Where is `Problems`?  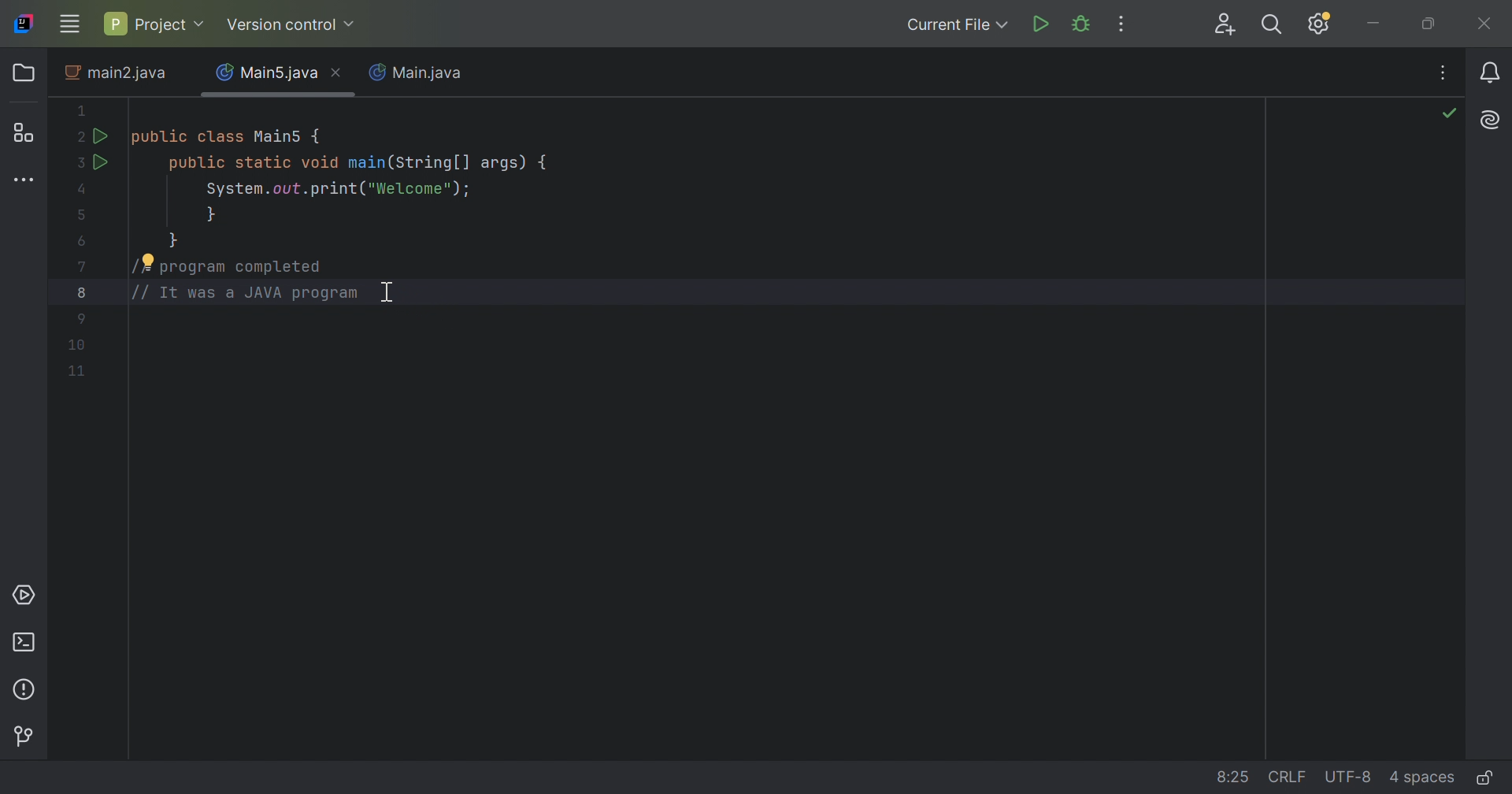 Problems is located at coordinates (26, 688).